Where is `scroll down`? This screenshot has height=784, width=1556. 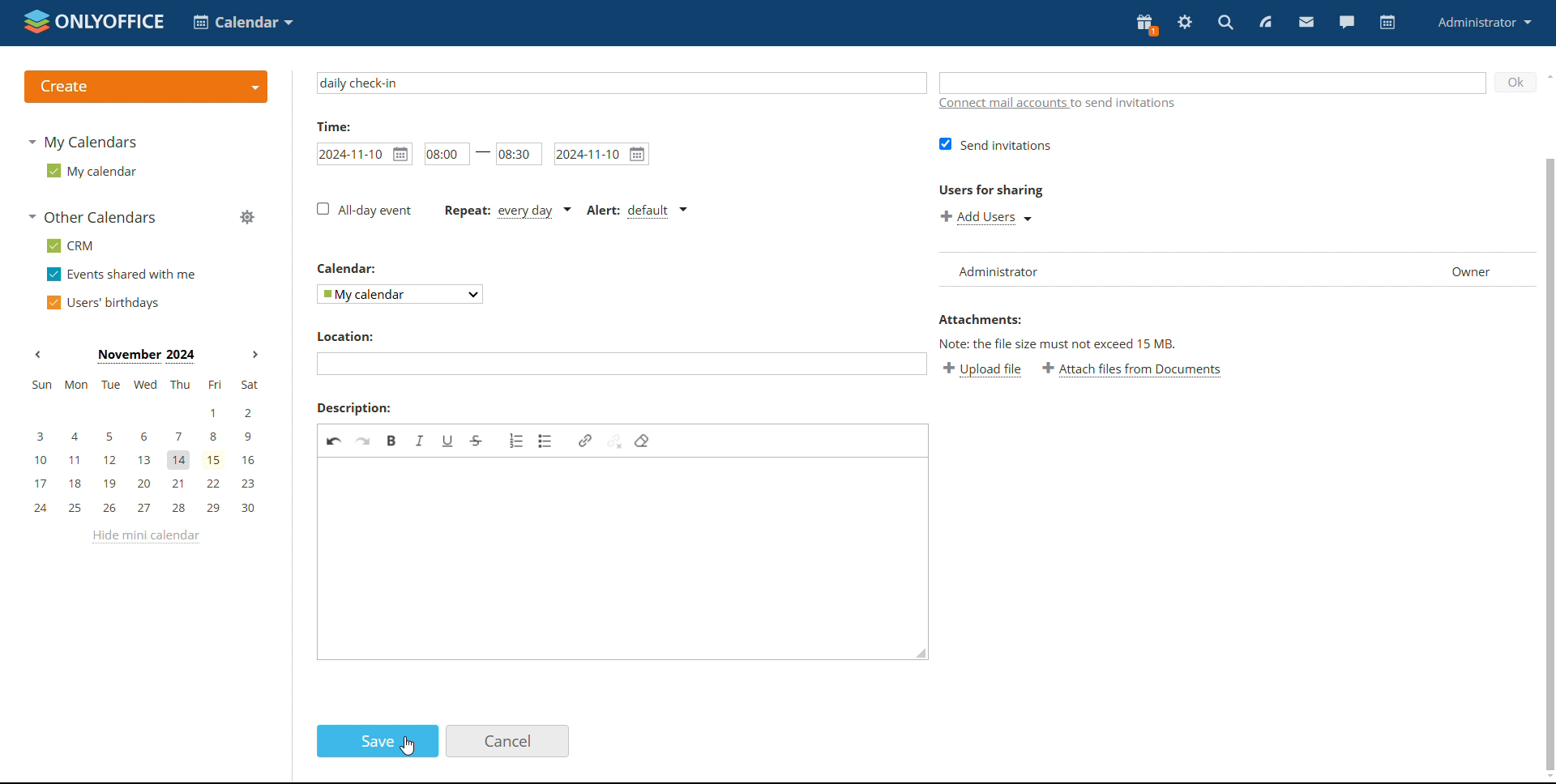
scroll down is located at coordinates (1546, 777).